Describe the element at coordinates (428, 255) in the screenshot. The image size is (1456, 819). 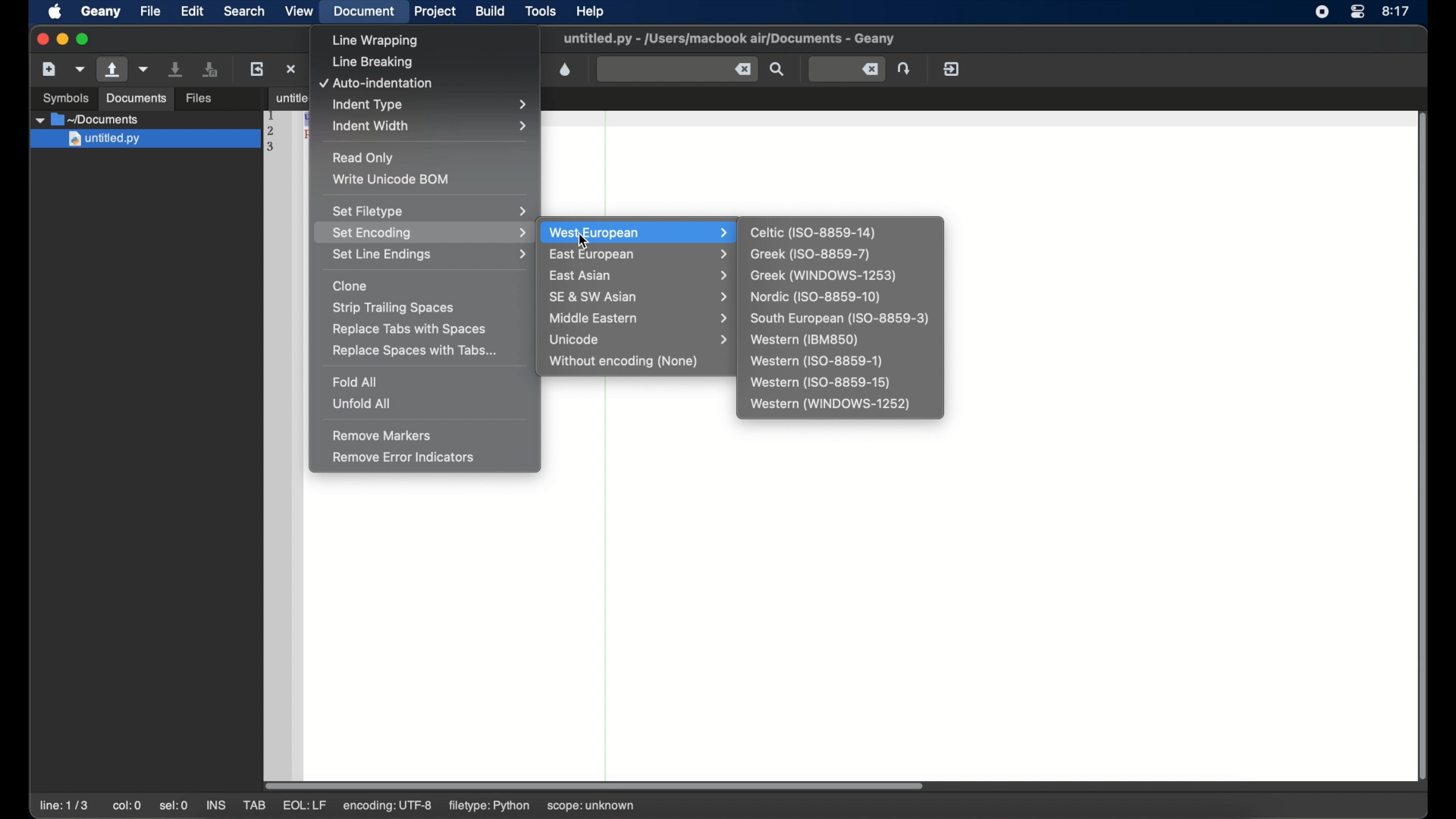
I see `set line endings menu` at that location.